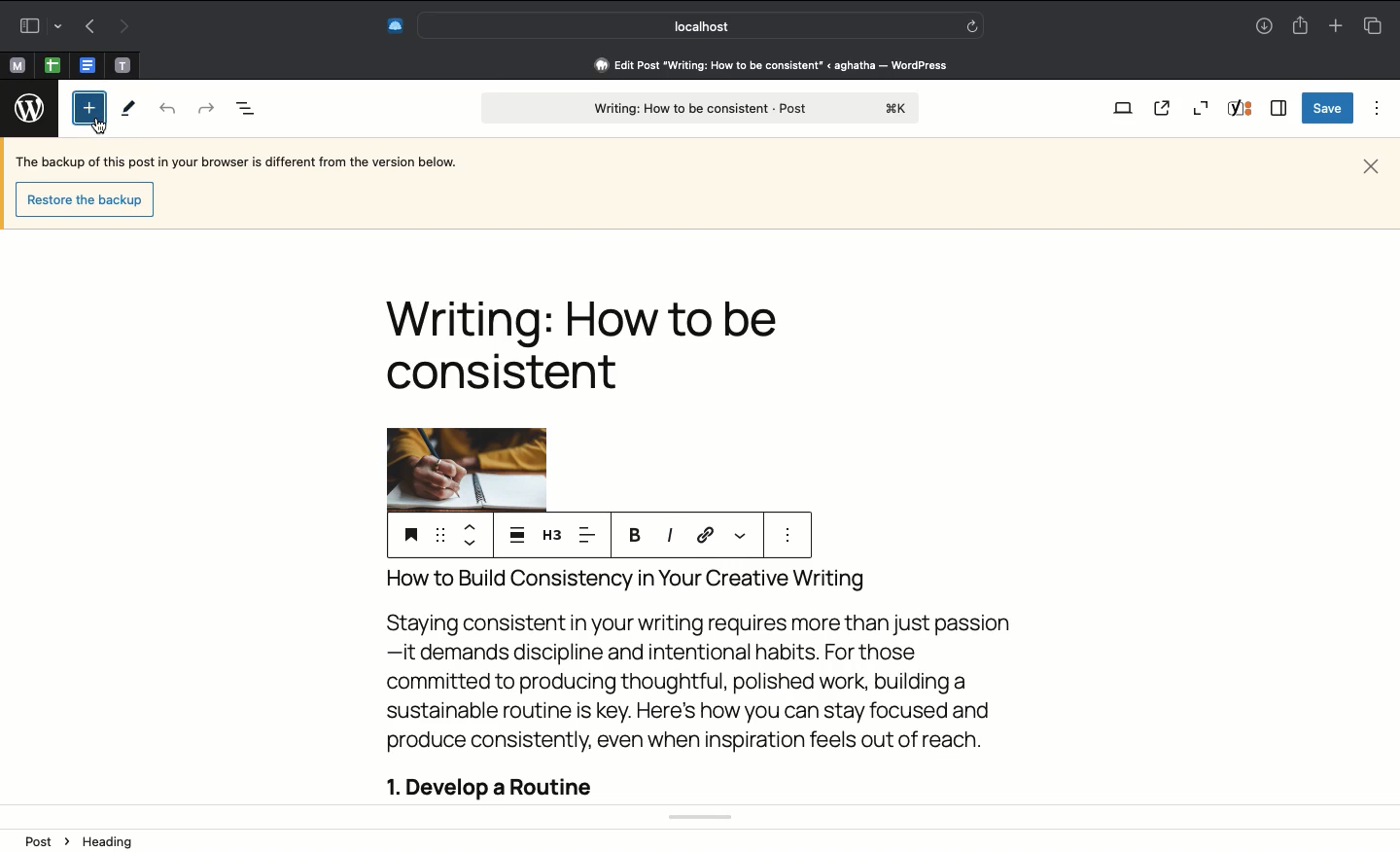  I want to click on Sidebar, so click(1279, 107).